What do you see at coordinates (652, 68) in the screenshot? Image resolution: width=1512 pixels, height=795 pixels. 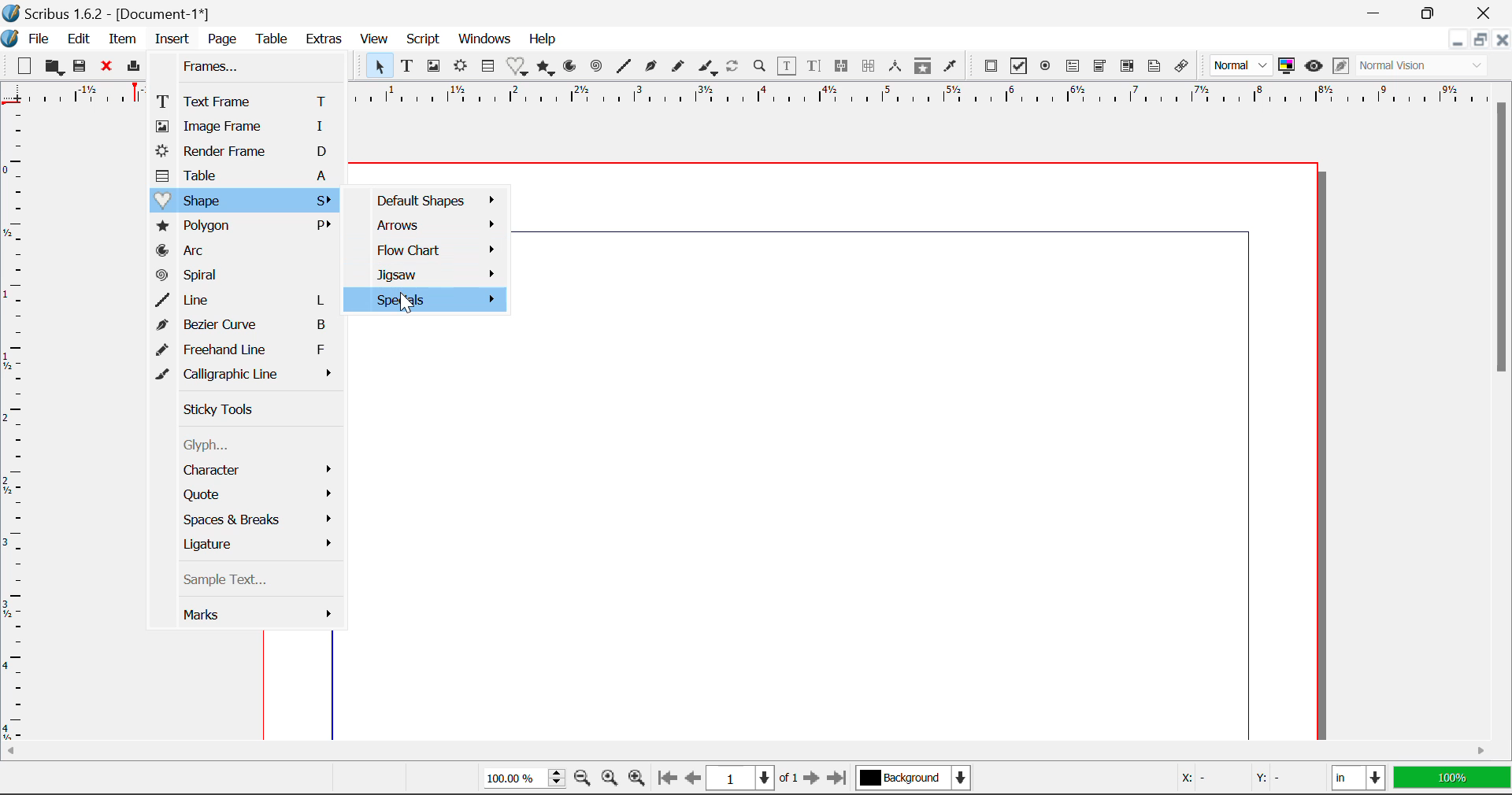 I see `Bezier Curve` at bounding box center [652, 68].